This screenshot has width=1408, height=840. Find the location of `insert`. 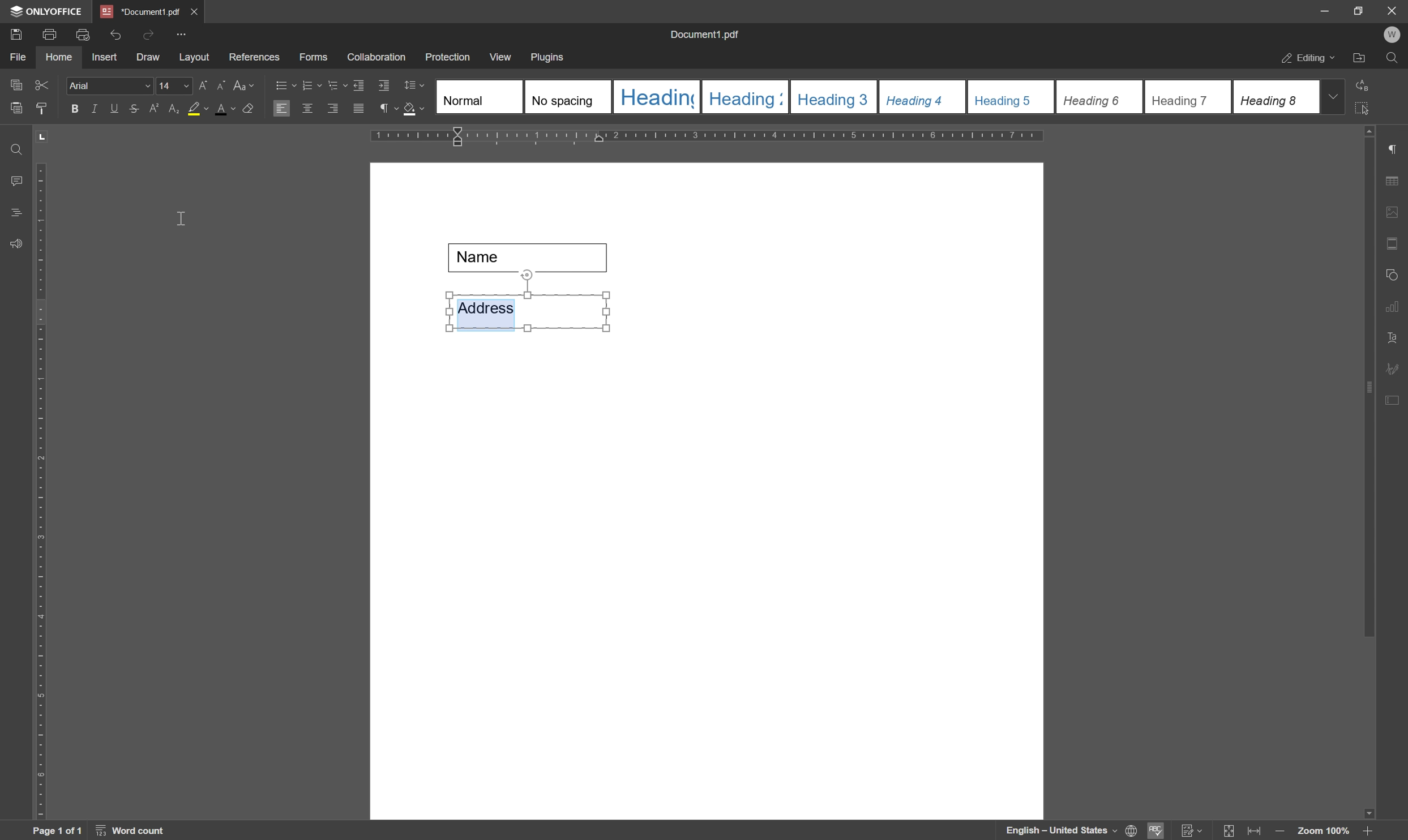

insert is located at coordinates (104, 58).